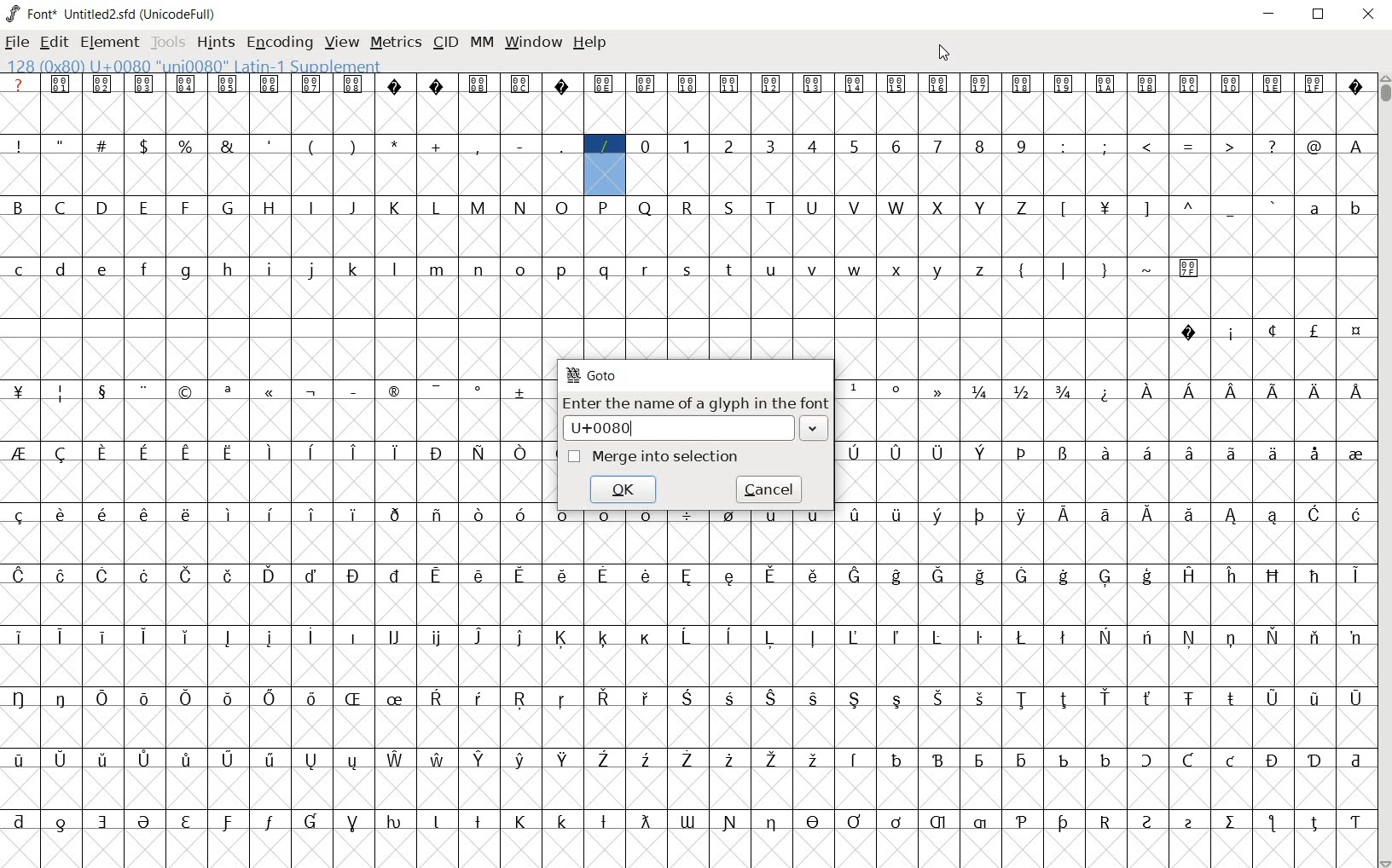 This screenshot has width=1392, height=868. What do you see at coordinates (101, 636) in the screenshot?
I see `glyph` at bounding box center [101, 636].